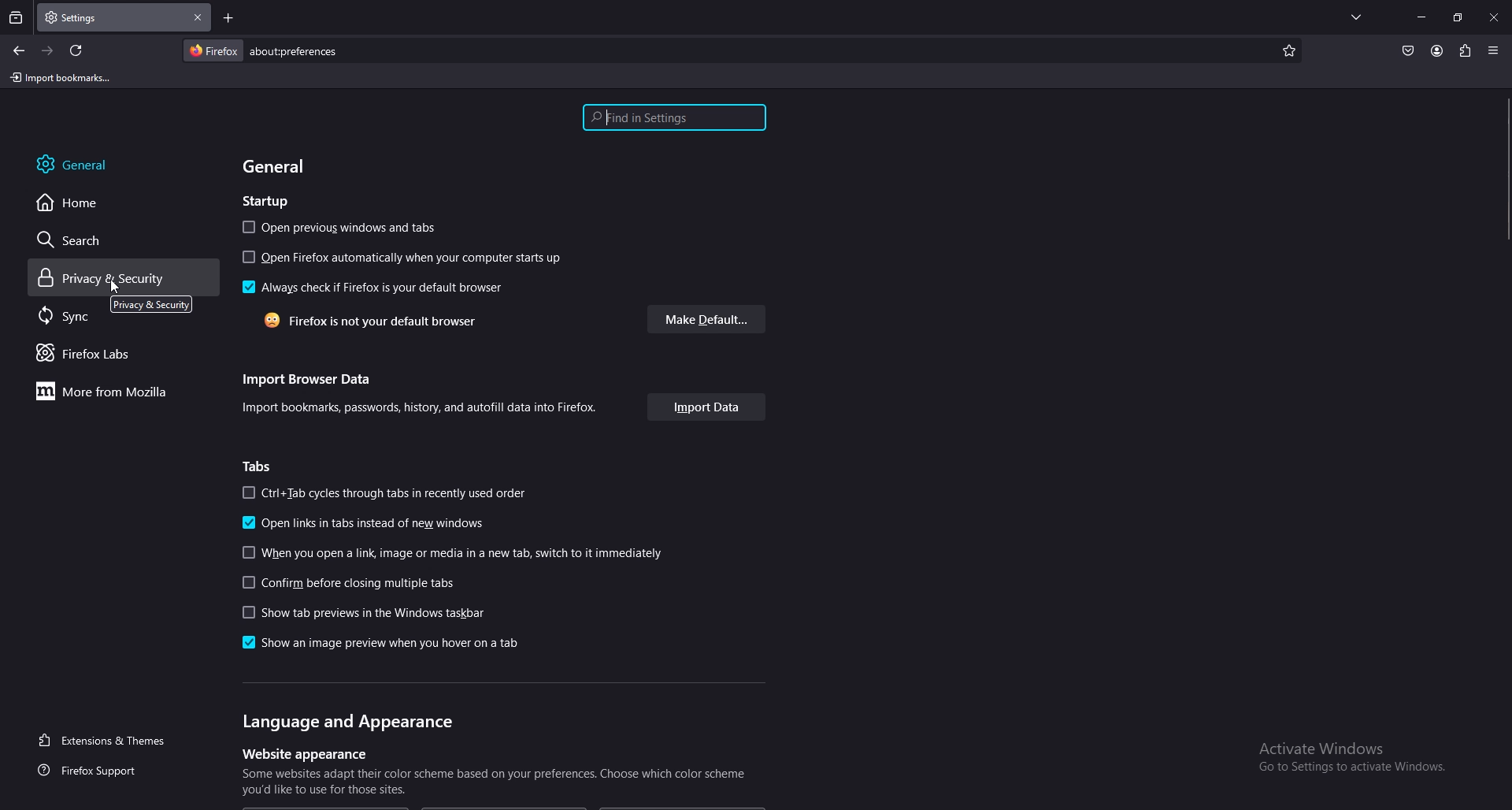  What do you see at coordinates (1436, 50) in the screenshot?
I see `account` at bounding box center [1436, 50].